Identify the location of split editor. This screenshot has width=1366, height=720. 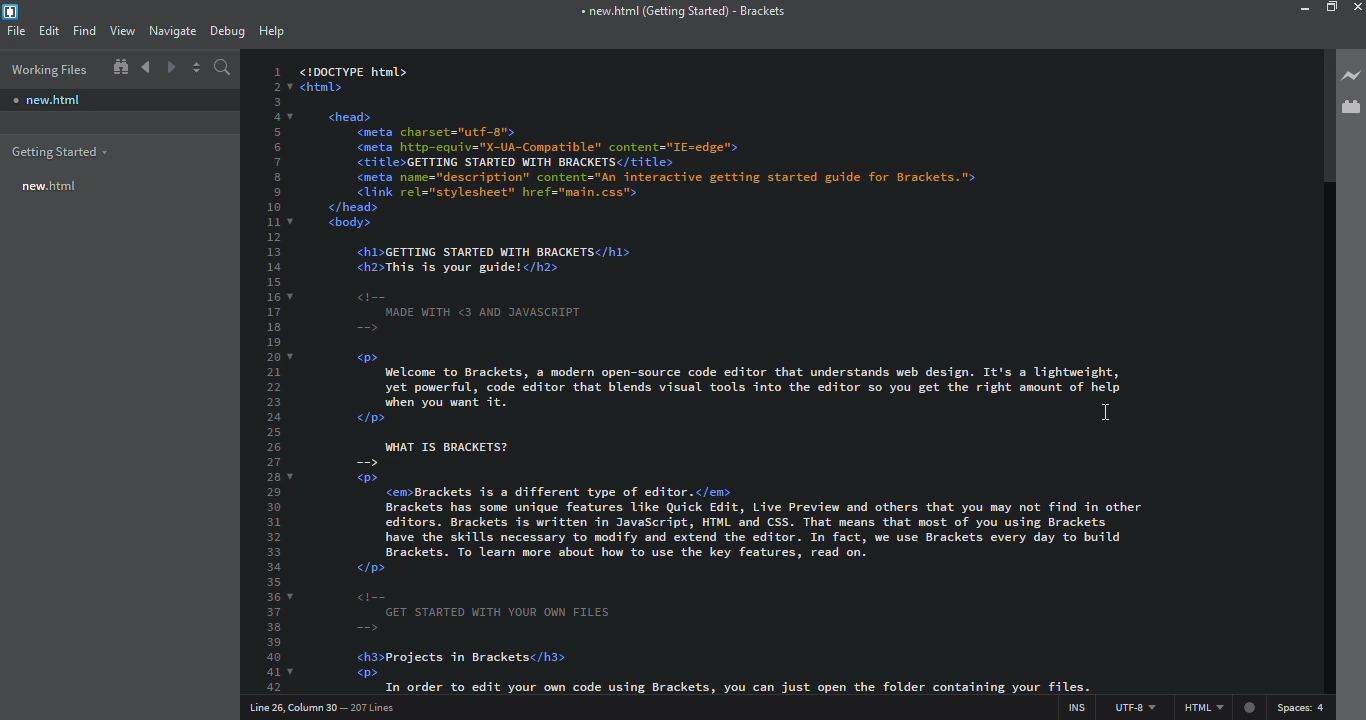
(197, 68).